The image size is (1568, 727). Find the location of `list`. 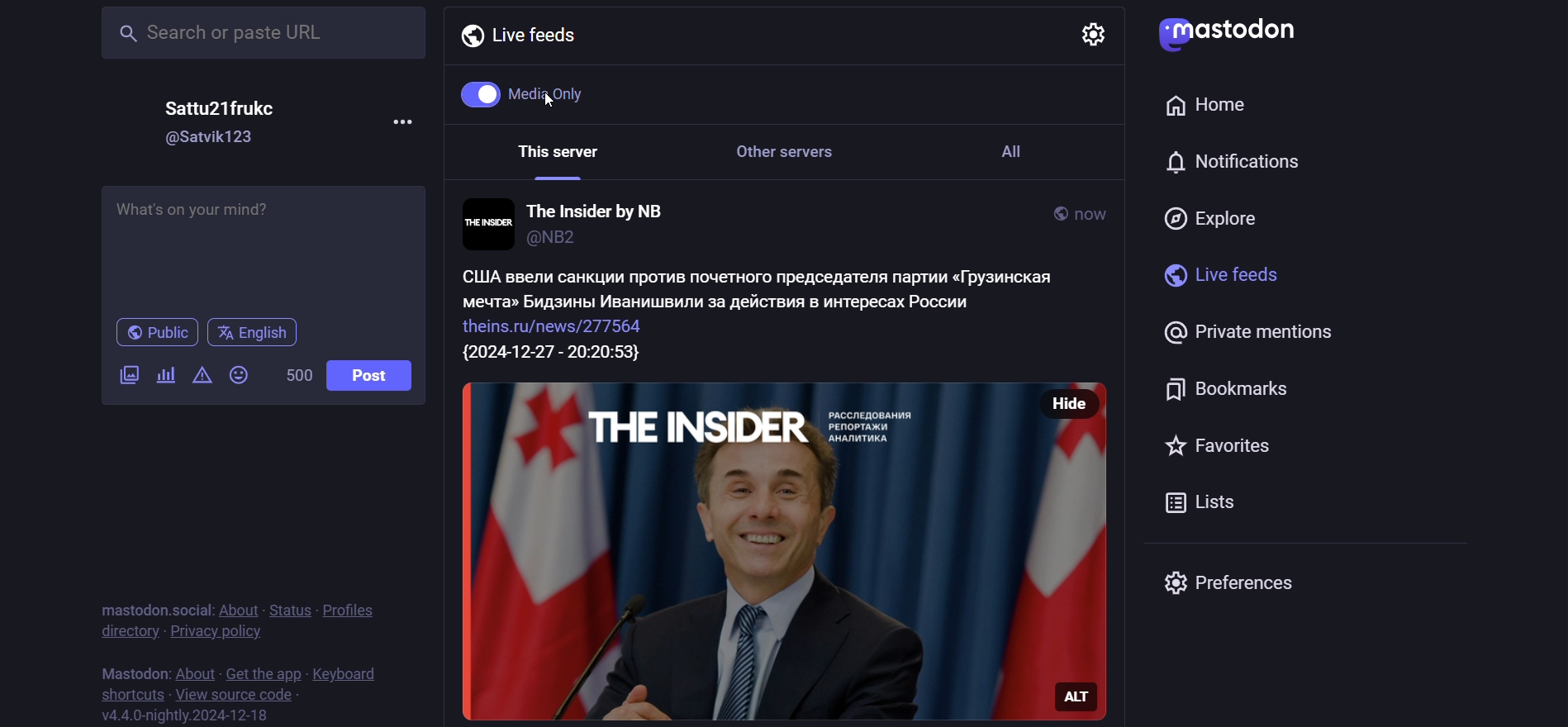

list is located at coordinates (1206, 504).